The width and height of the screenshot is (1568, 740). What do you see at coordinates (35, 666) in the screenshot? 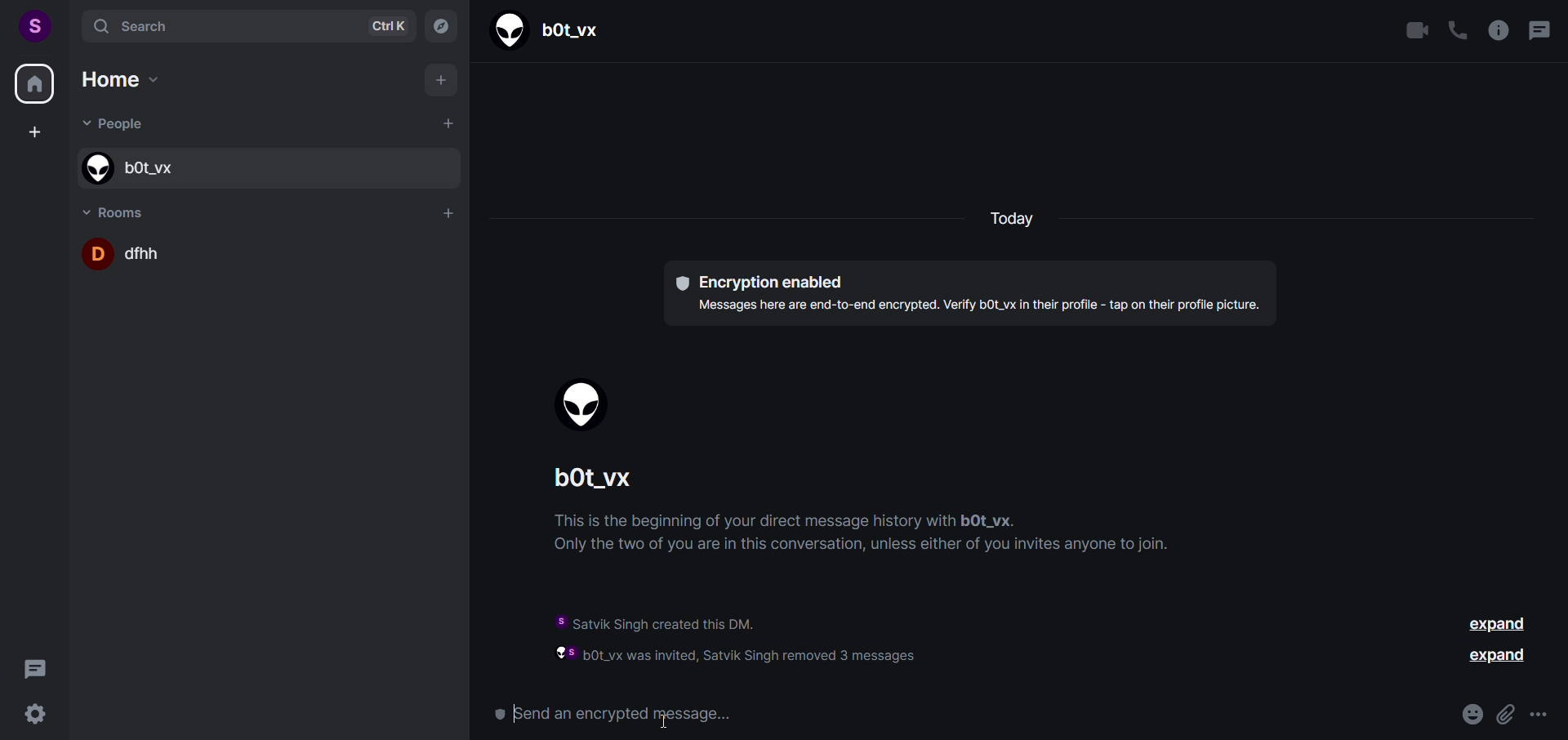
I see `threads` at bounding box center [35, 666].